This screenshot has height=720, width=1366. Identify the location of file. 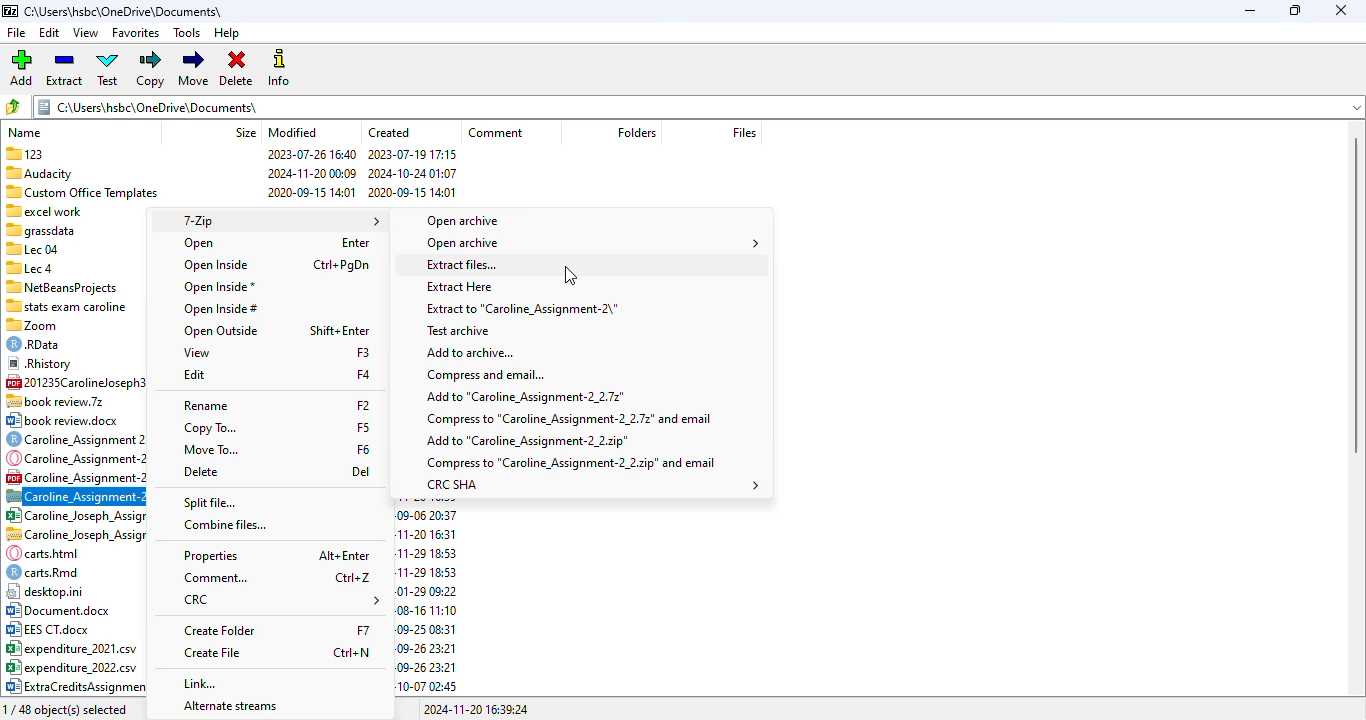
(17, 32).